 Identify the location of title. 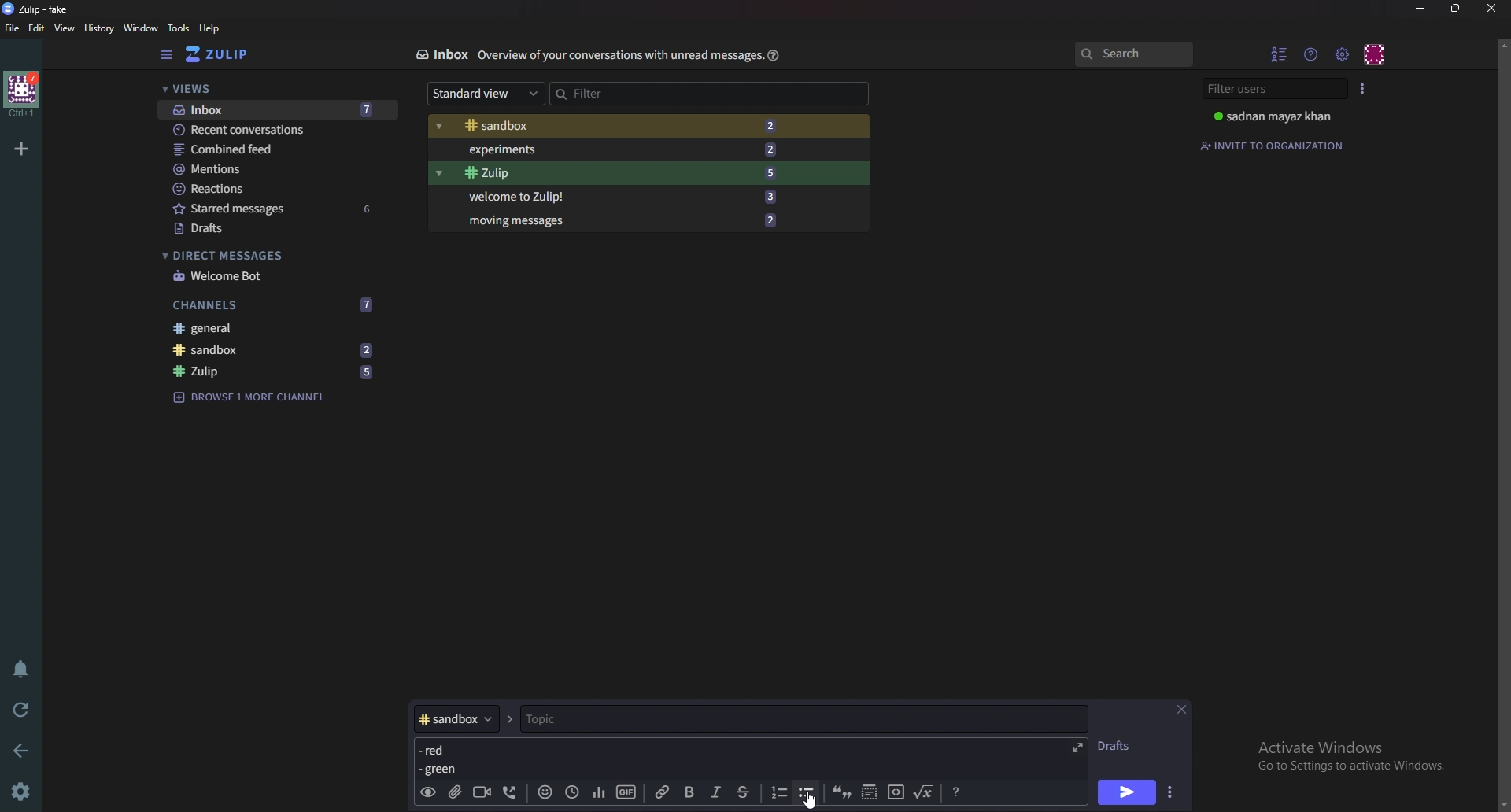
(43, 9).